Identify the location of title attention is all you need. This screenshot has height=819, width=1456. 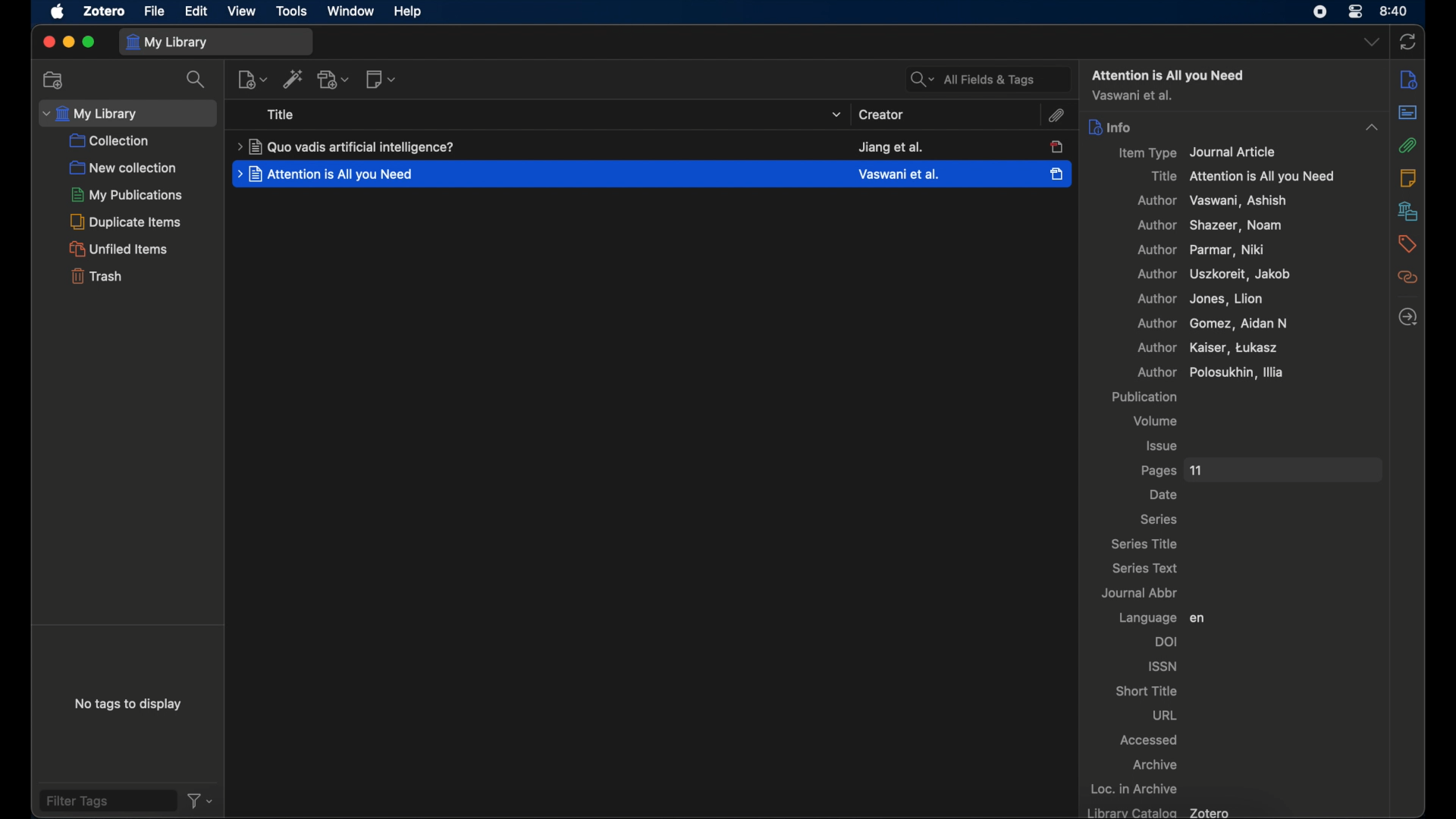
(1244, 177).